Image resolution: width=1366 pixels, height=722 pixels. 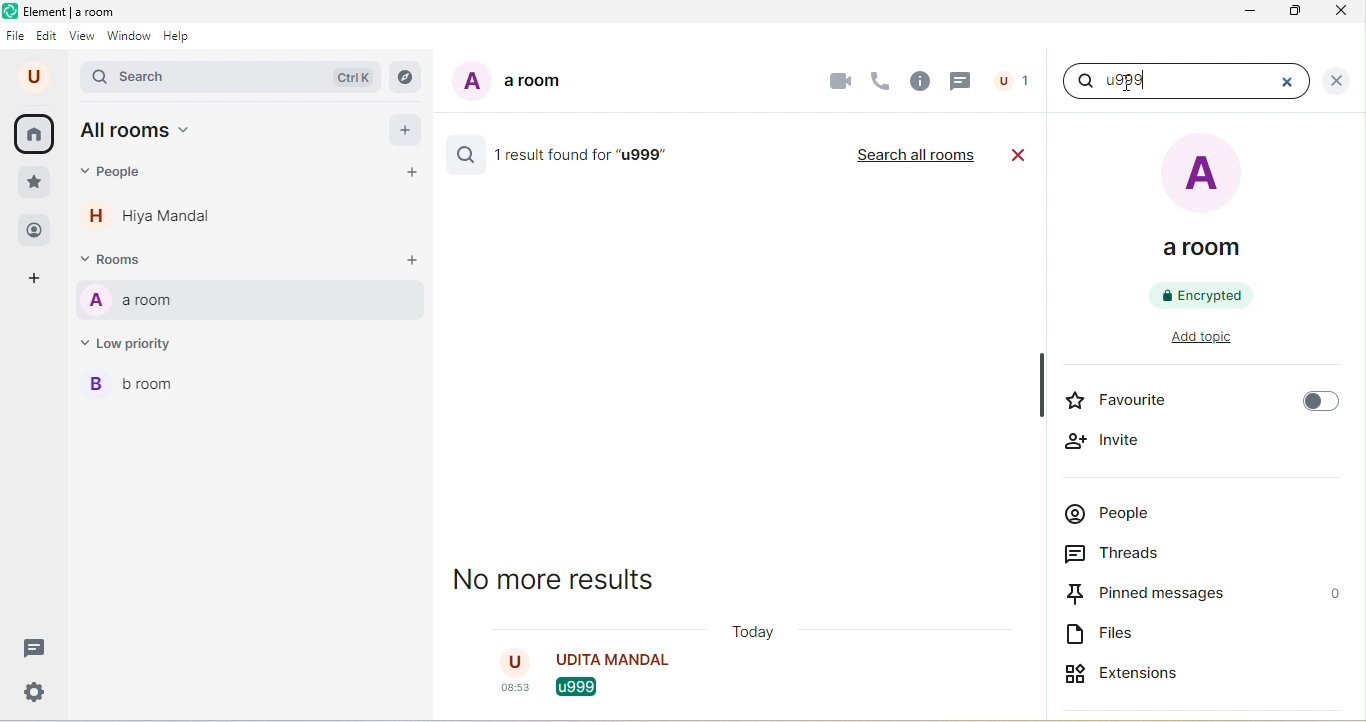 I want to click on help, so click(x=182, y=39).